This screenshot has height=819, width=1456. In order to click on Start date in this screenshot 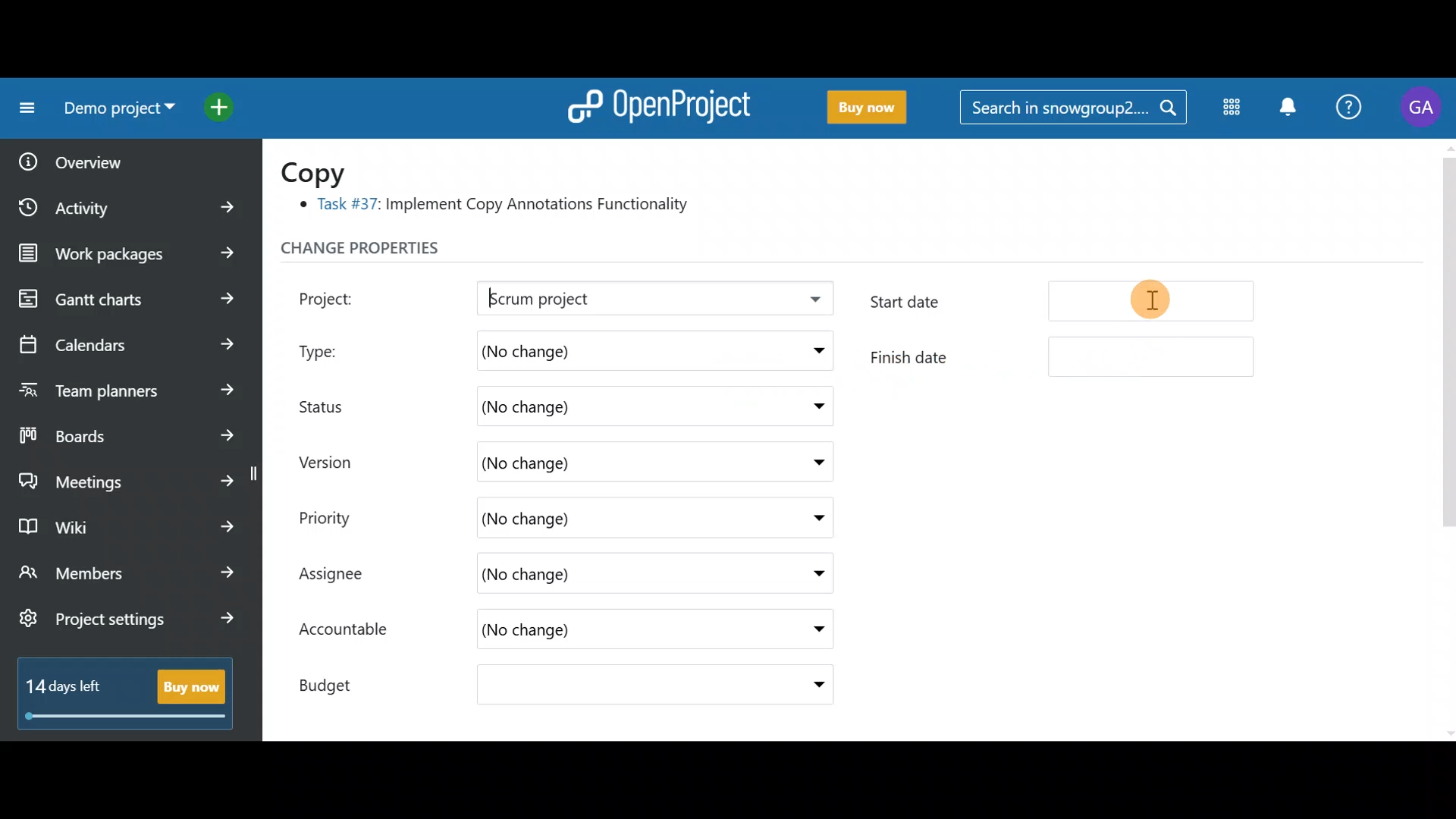, I will do `click(1068, 305)`.